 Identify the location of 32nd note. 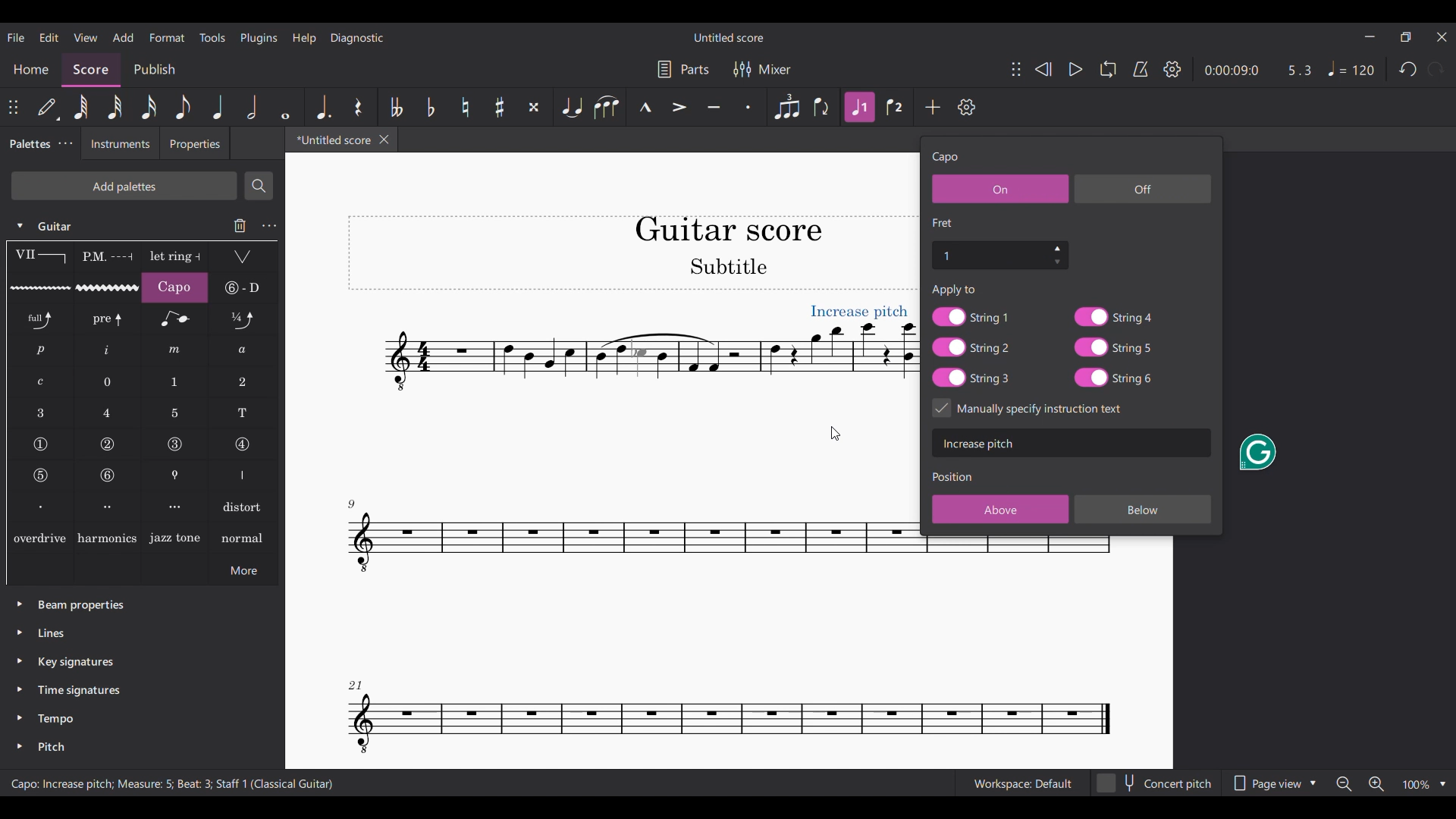
(115, 107).